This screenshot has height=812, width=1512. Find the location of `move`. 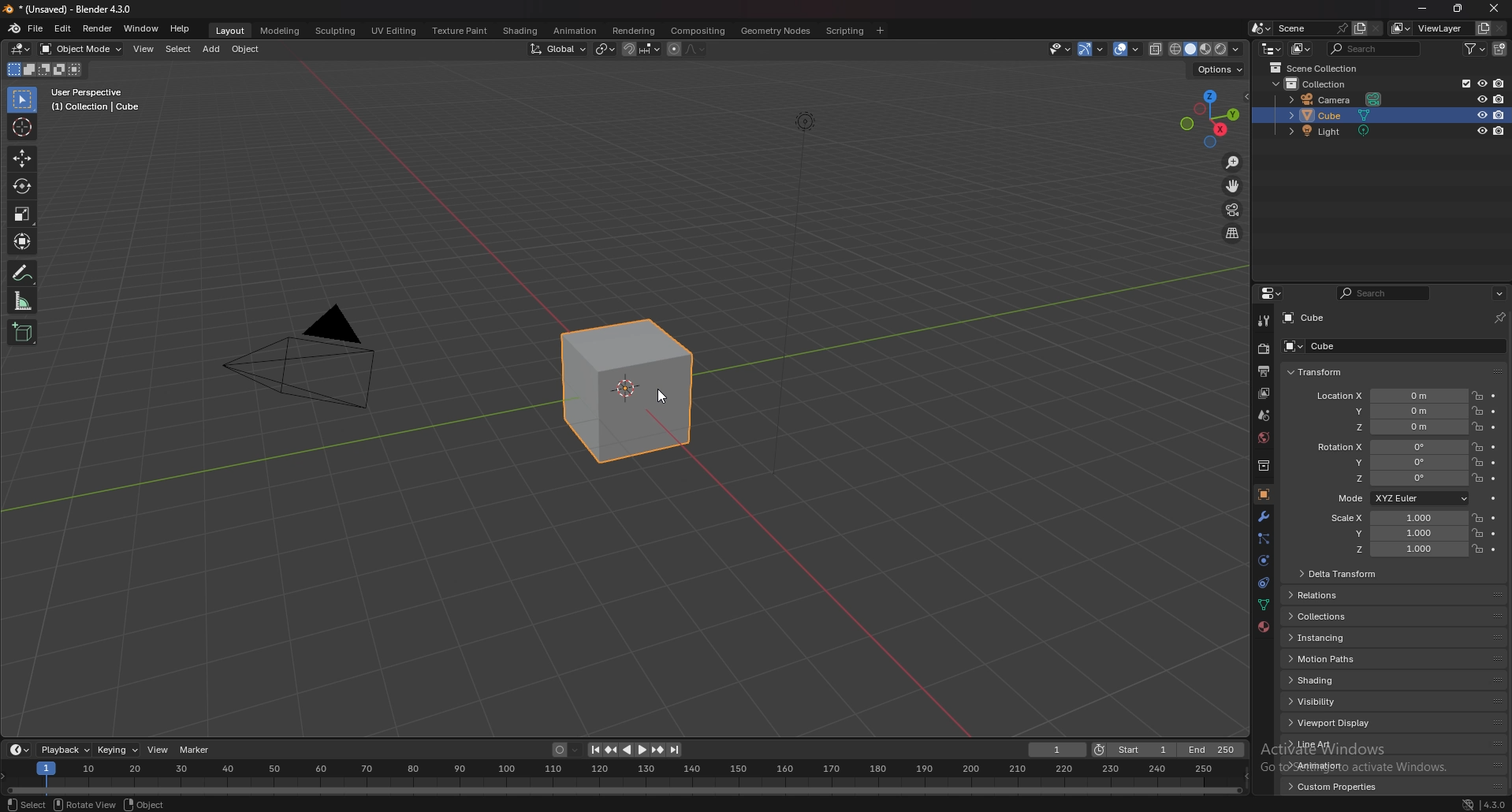

move is located at coordinates (23, 159).